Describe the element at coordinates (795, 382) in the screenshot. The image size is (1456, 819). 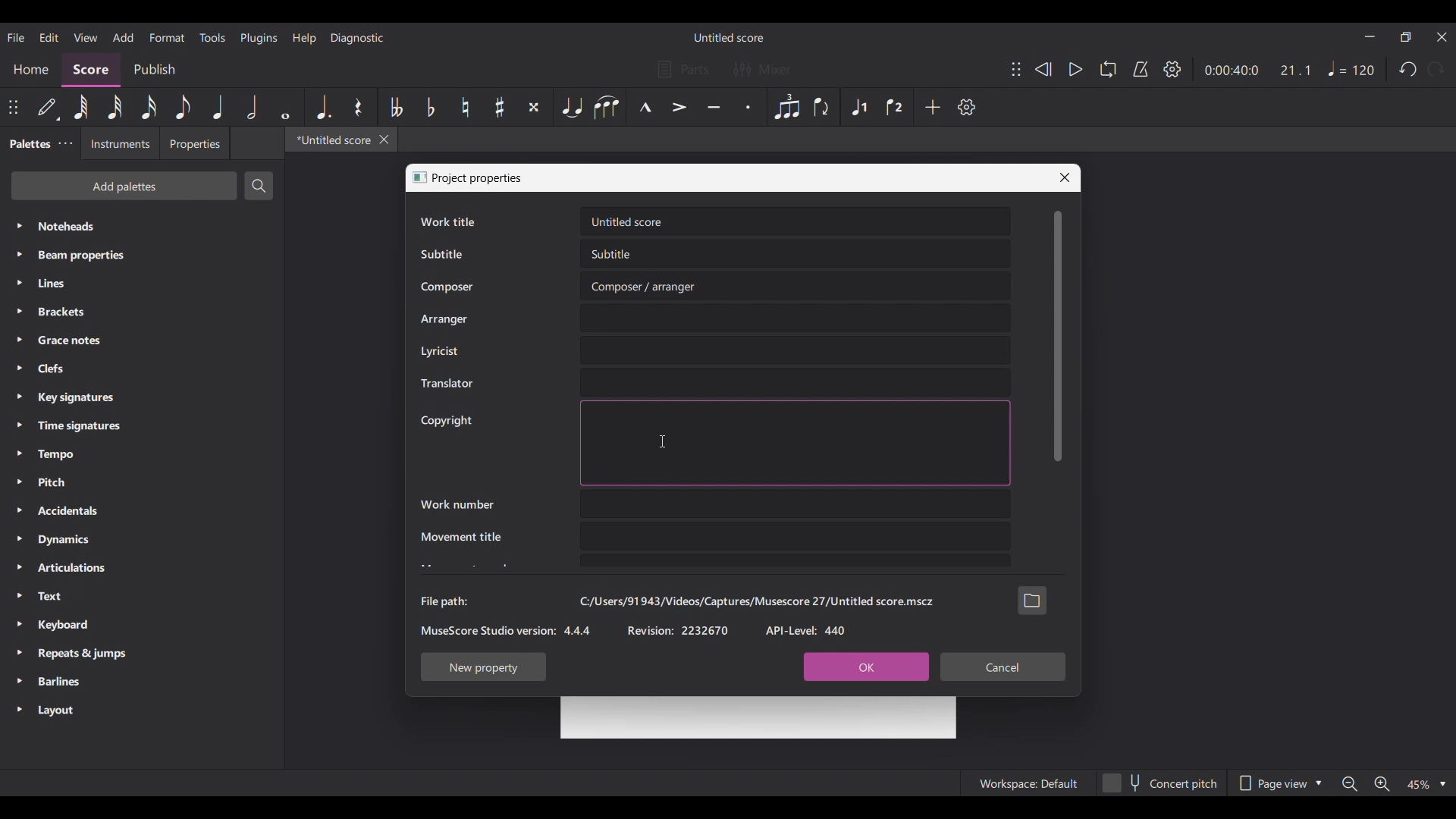
I see `Text box for Translator` at that location.